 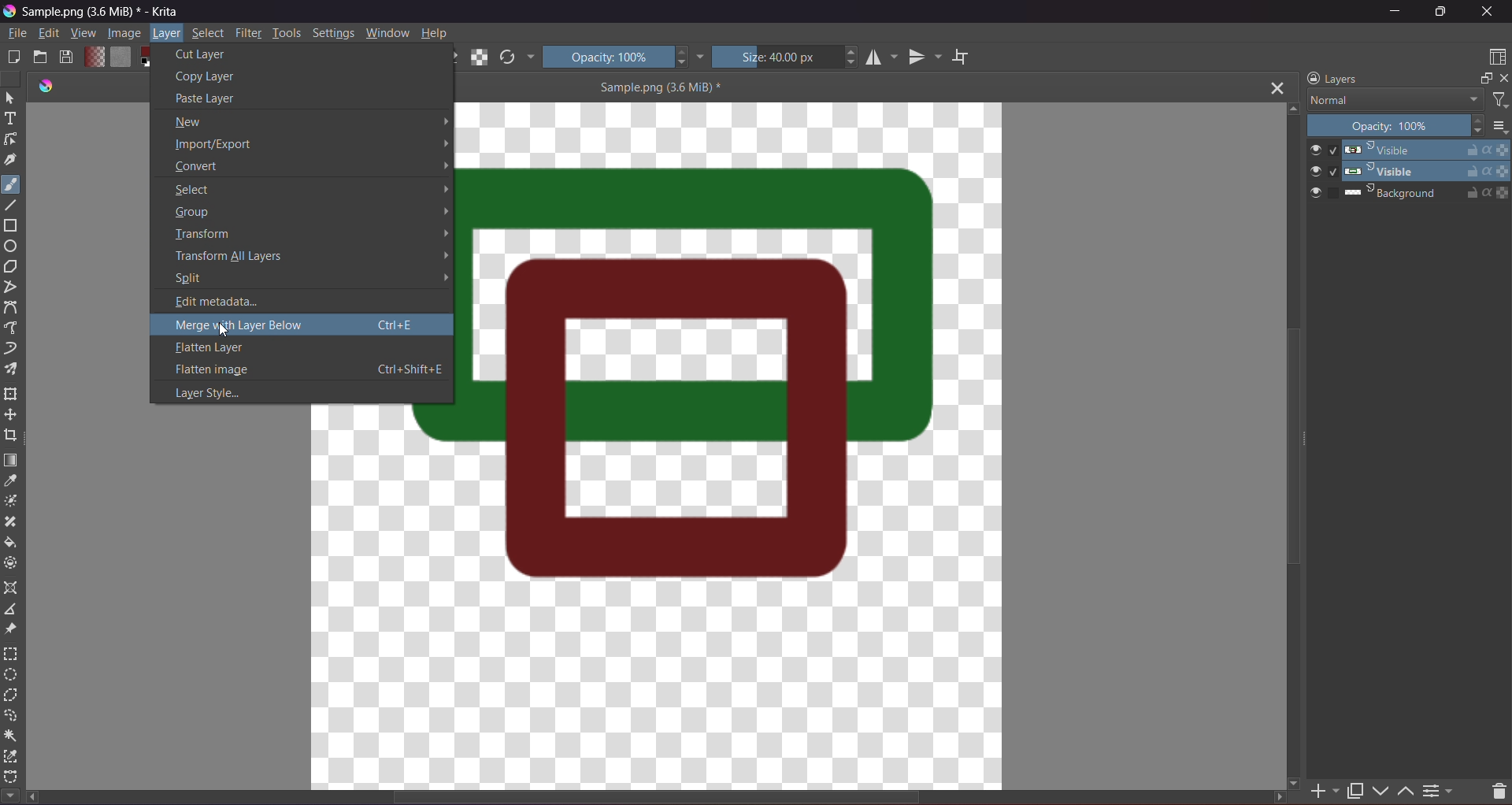 I want to click on More tools, so click(x=10, y=793).